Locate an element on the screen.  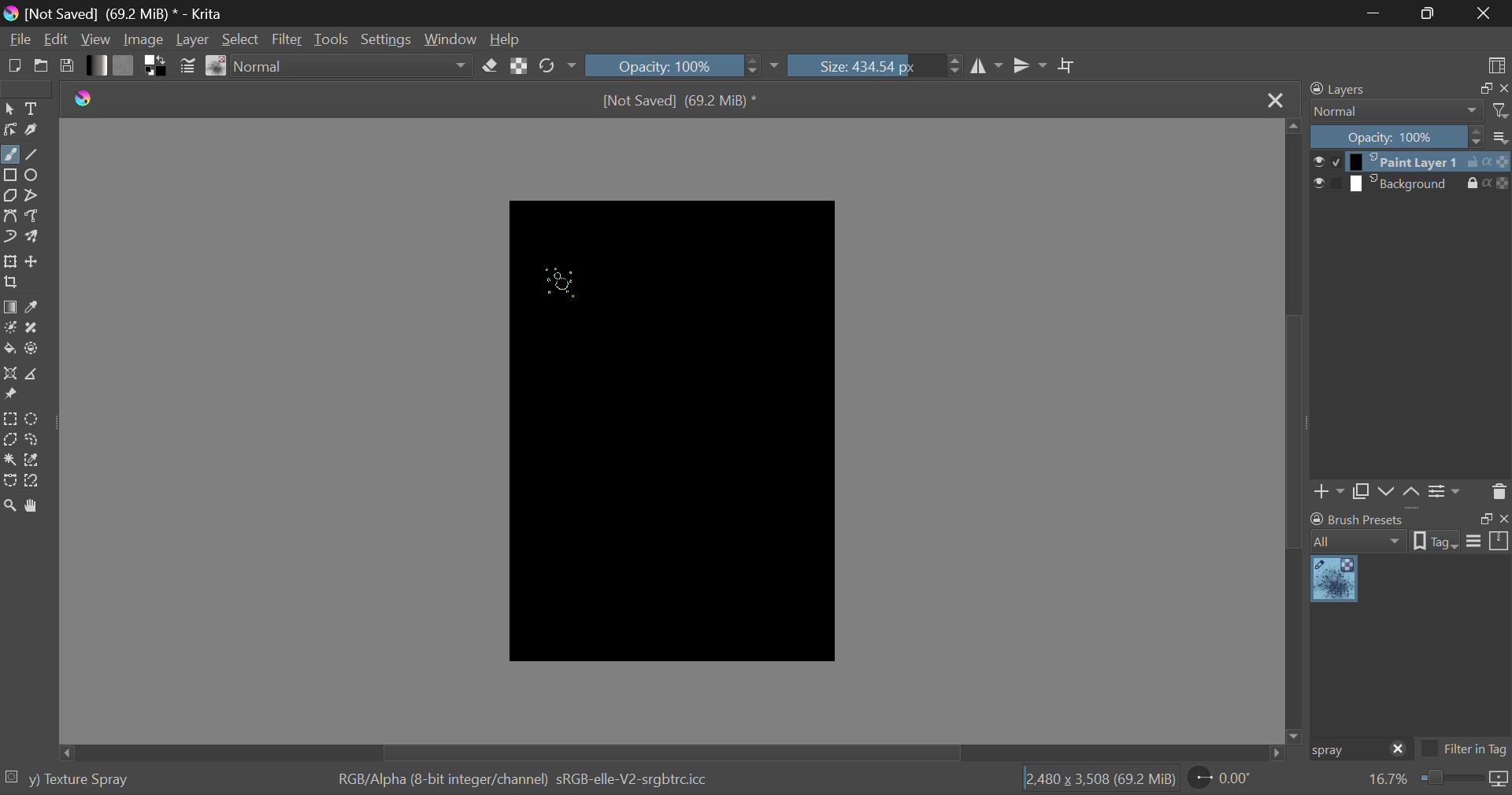
Magnetic Selection is located at coordinates (37, 482).